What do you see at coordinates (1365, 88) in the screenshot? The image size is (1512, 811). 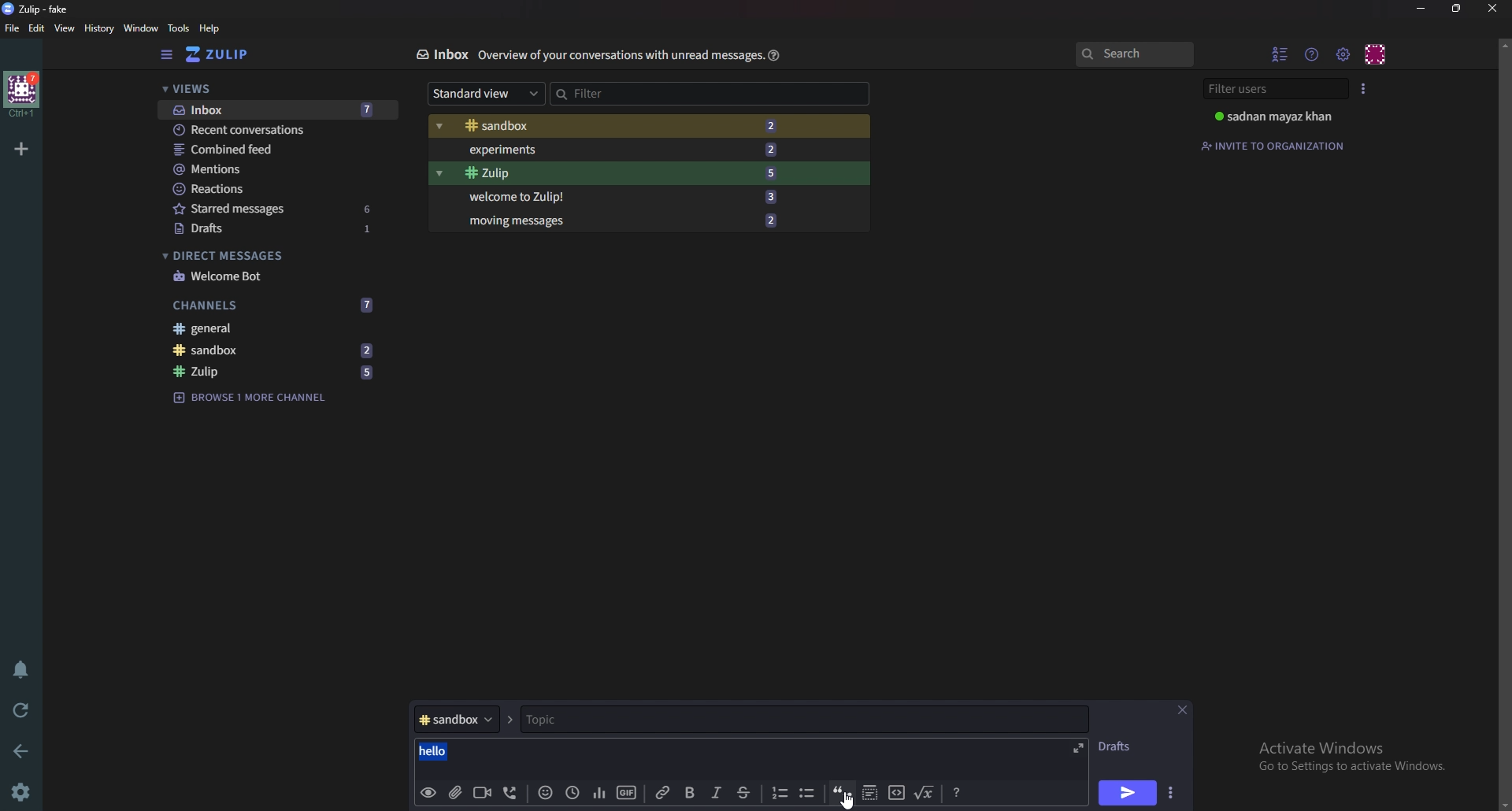 I see `User list style` at bounding box center [1365, 88].